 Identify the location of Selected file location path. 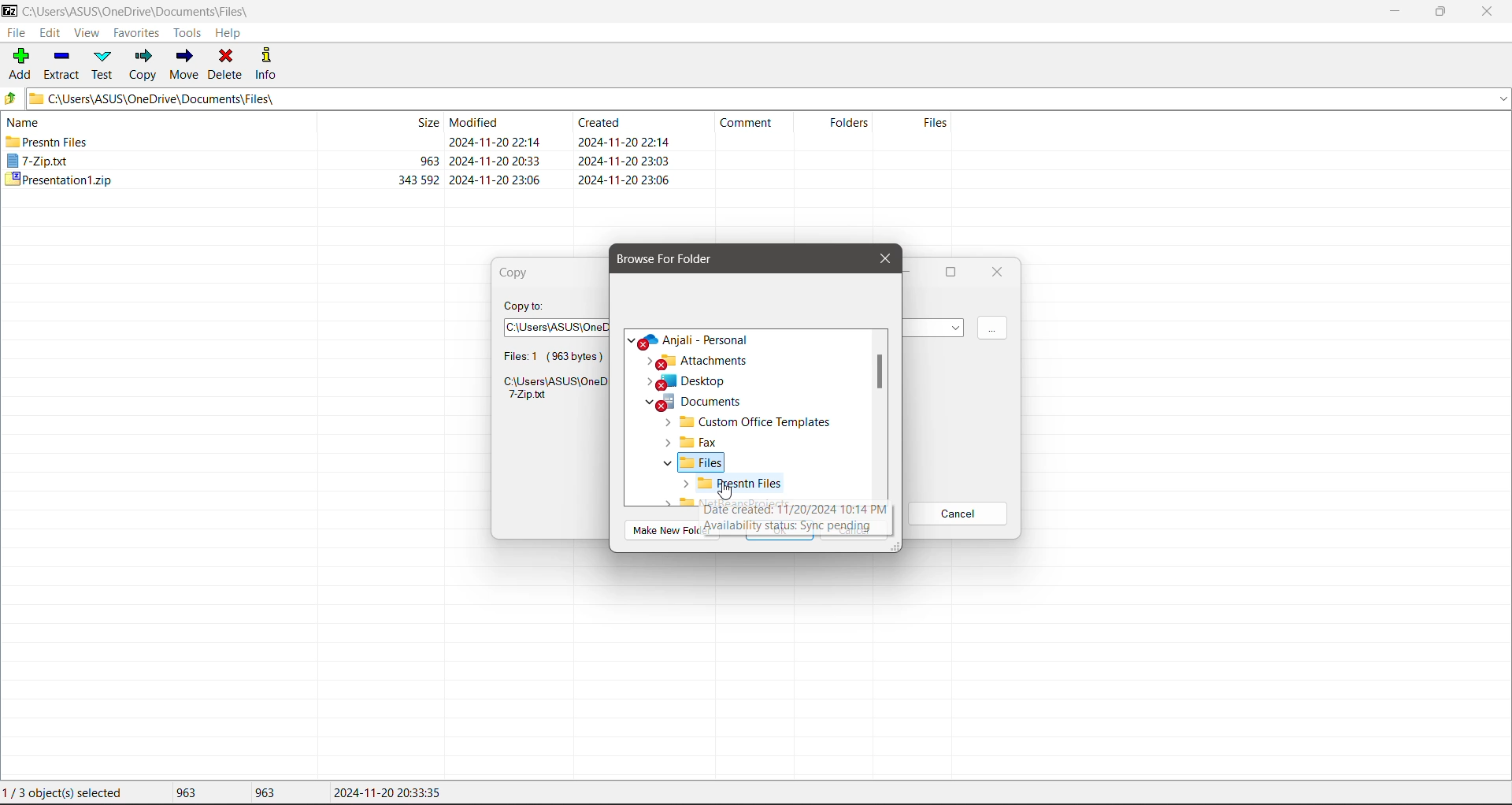
(550, 391).